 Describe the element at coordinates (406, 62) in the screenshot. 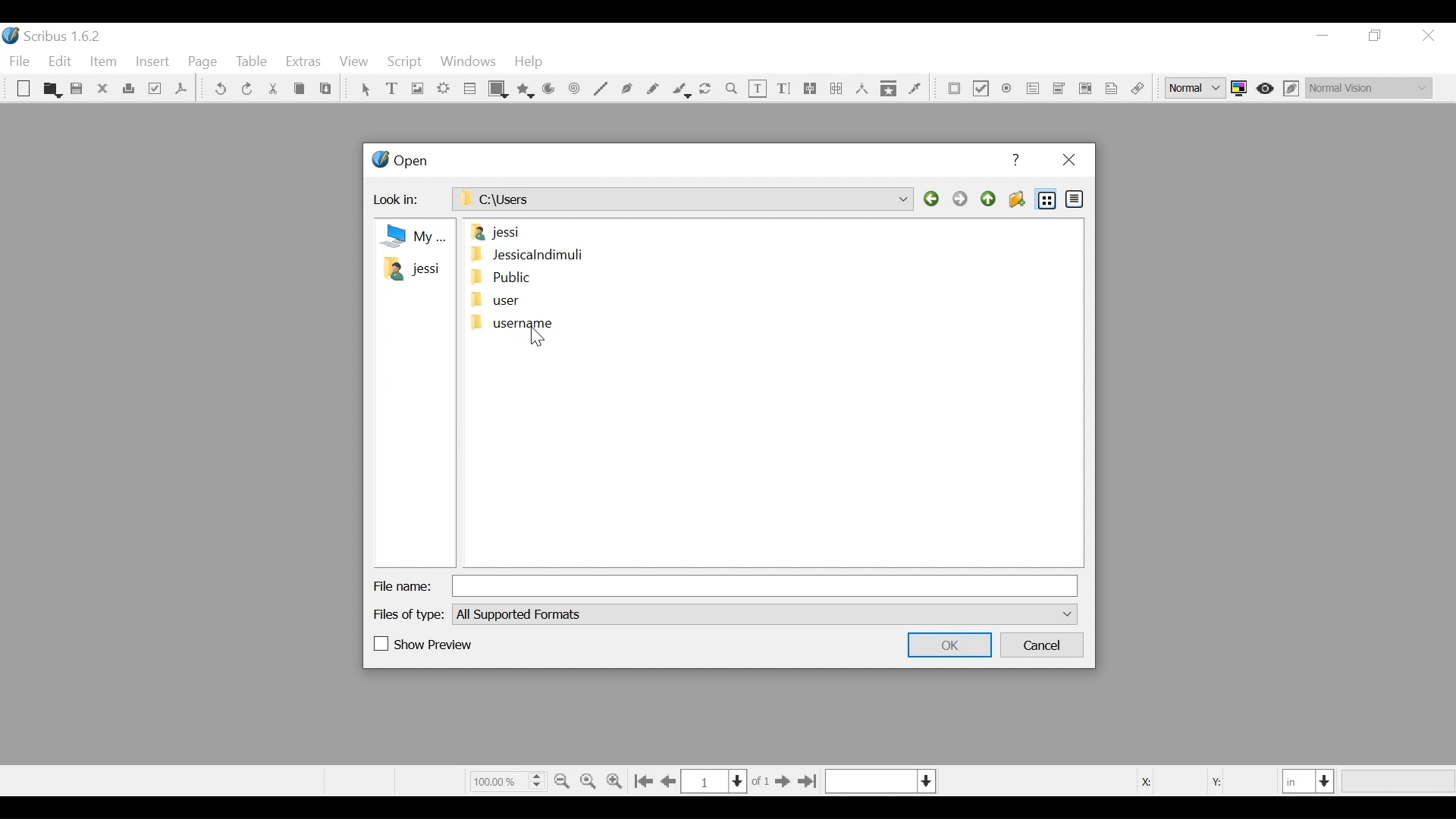

I see `Script` at that location.